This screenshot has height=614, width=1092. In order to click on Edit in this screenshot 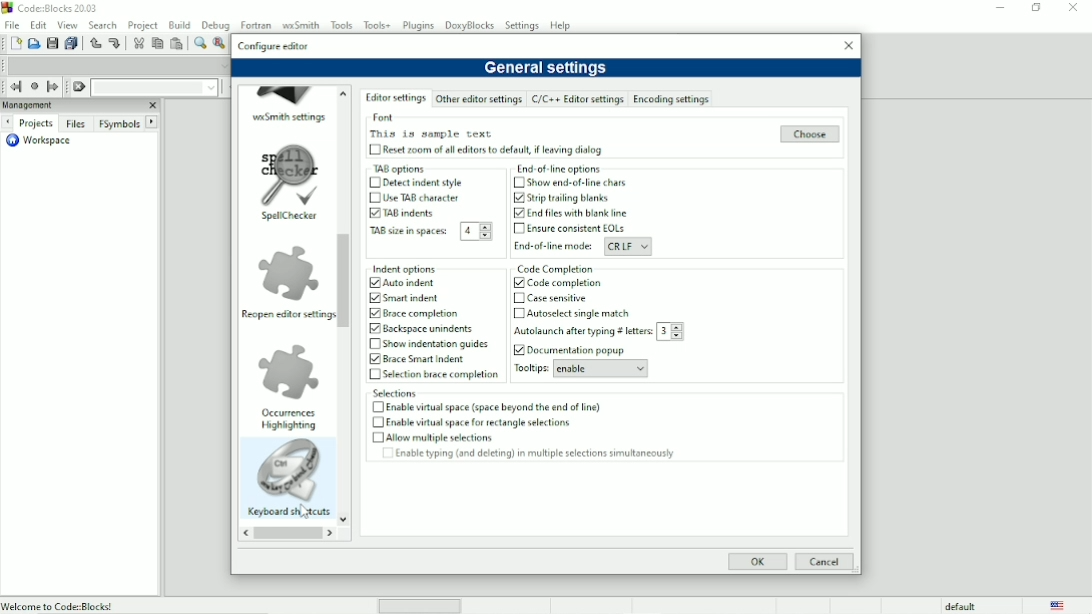, I will do `click(38, 25)`.